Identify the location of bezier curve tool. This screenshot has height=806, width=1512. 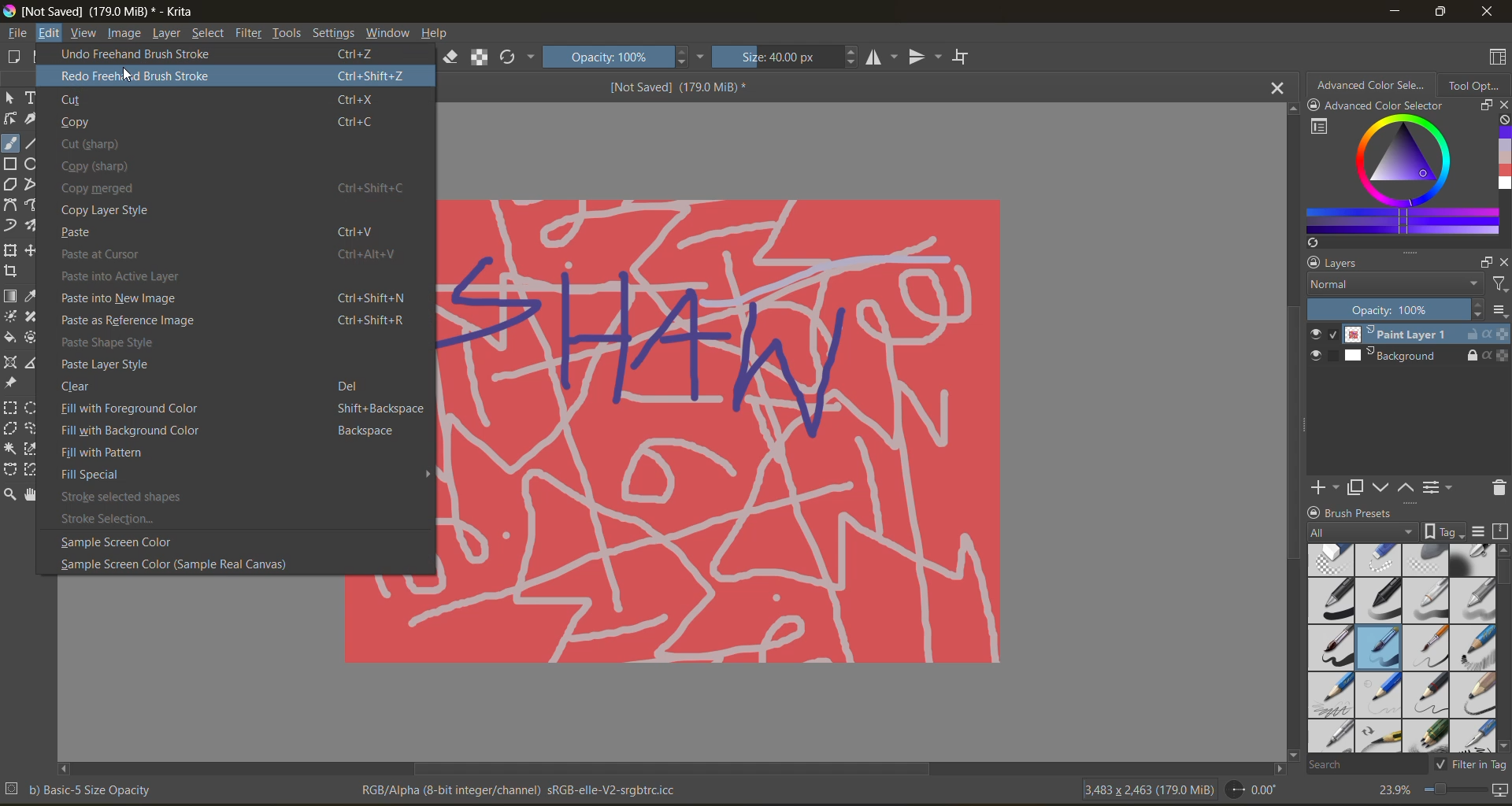
(12, 205).